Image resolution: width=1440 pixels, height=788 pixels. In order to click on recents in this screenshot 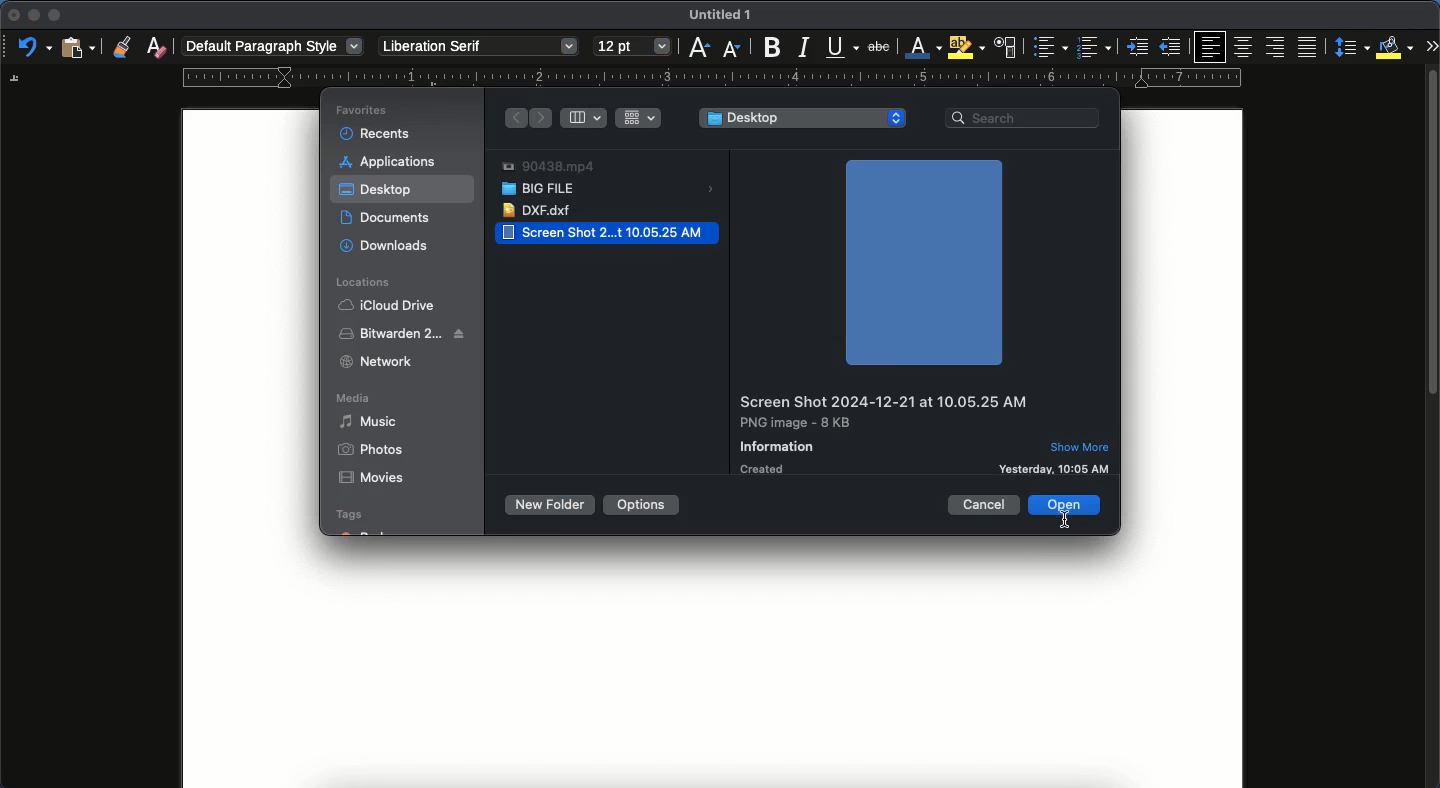, I will do `click(377, 131)`.